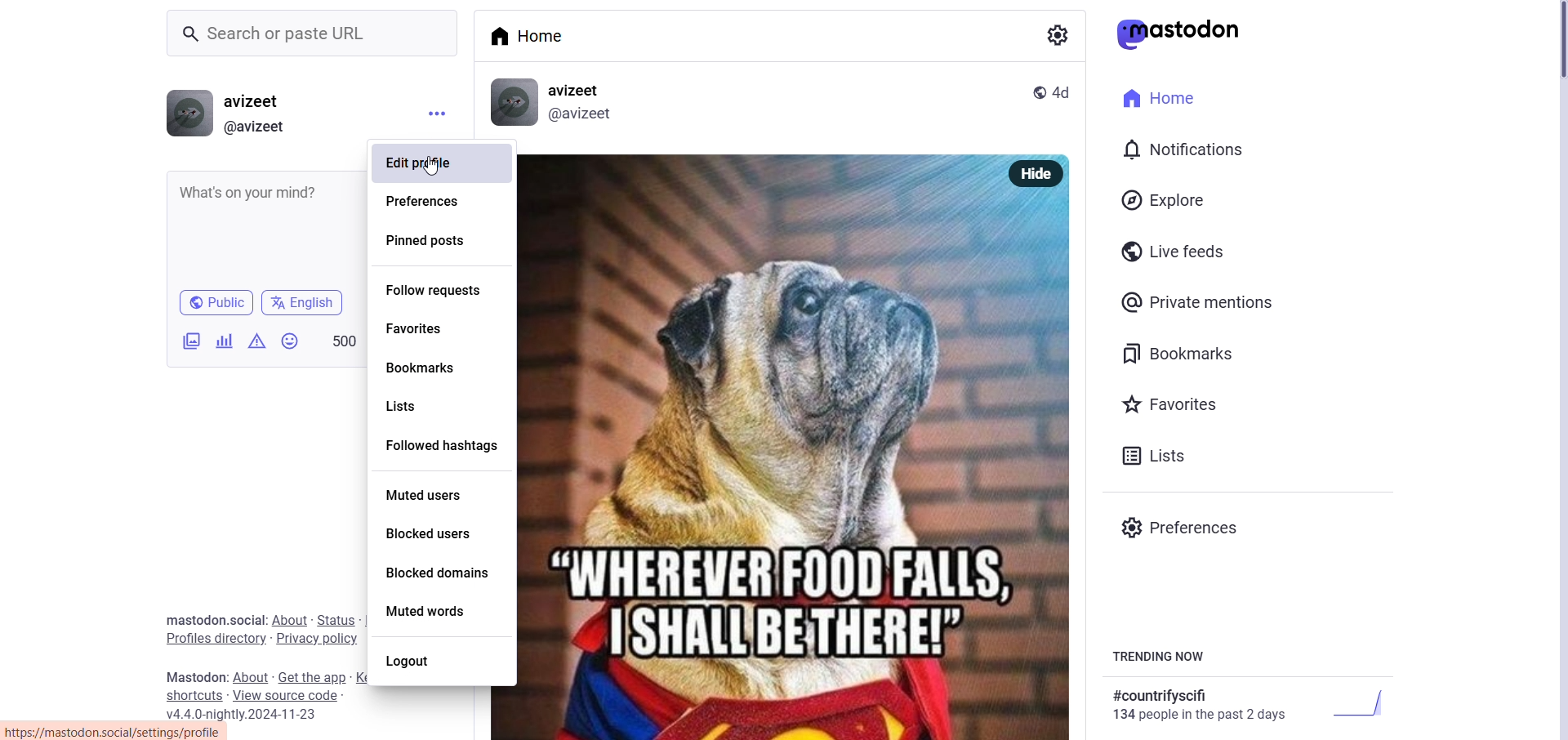  I want to click on What's on your mind?, so click(254, 190).